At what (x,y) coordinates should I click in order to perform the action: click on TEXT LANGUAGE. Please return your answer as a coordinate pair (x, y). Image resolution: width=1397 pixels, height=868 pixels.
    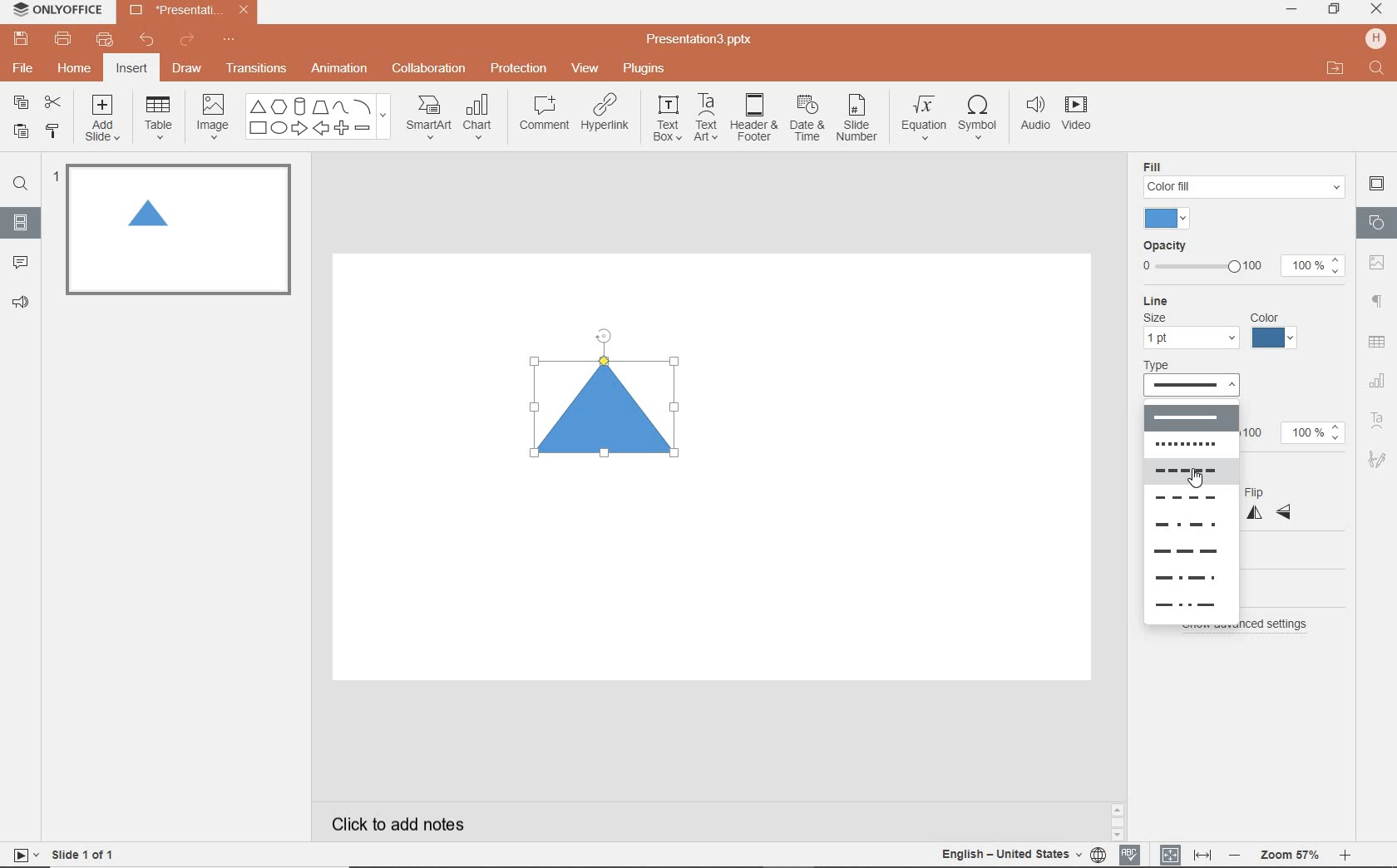
    Looking at the image, I should click on (1024, 854).